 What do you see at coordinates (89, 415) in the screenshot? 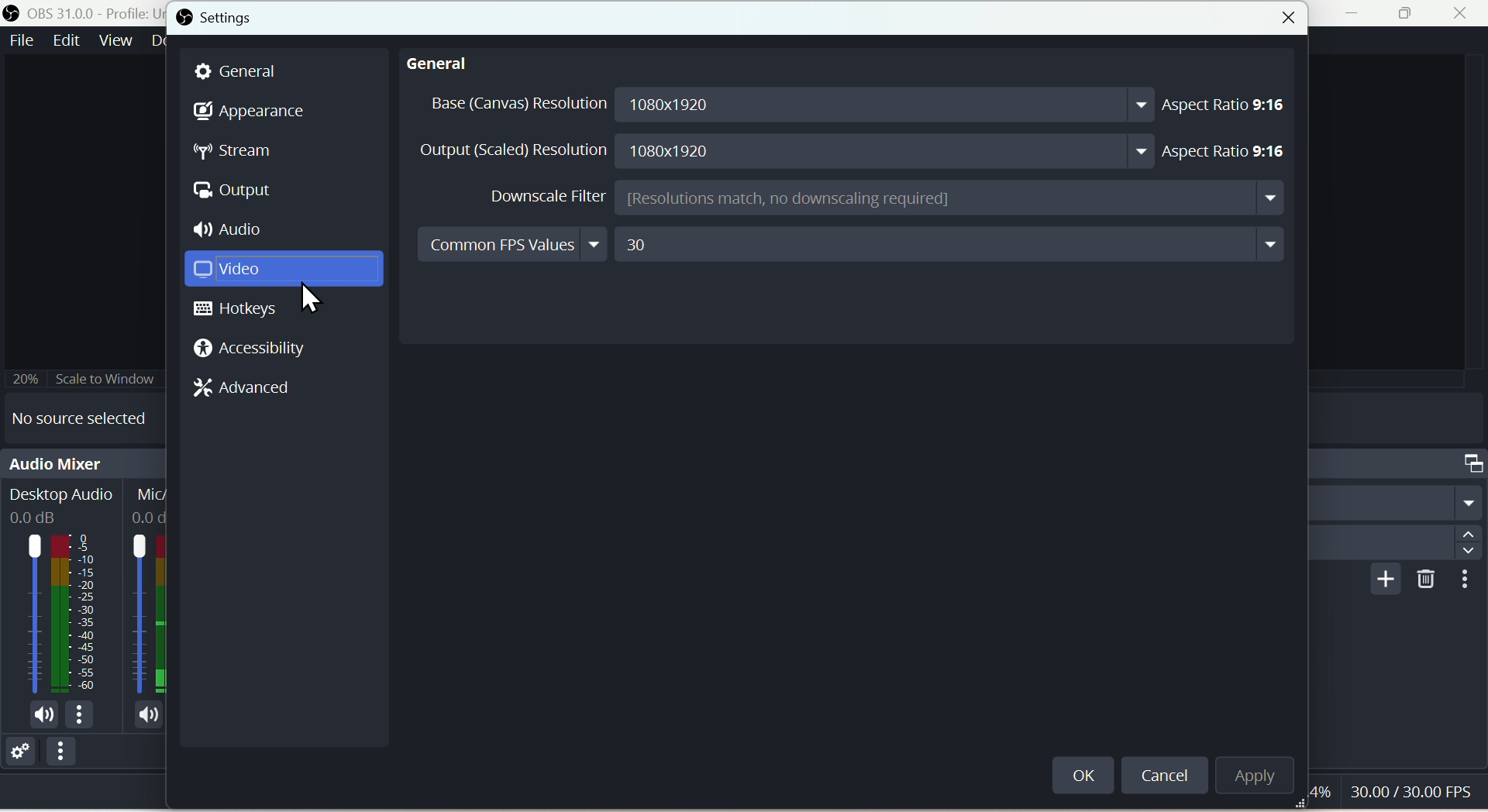
I see `No source selected` at bounding box center [89, 415].